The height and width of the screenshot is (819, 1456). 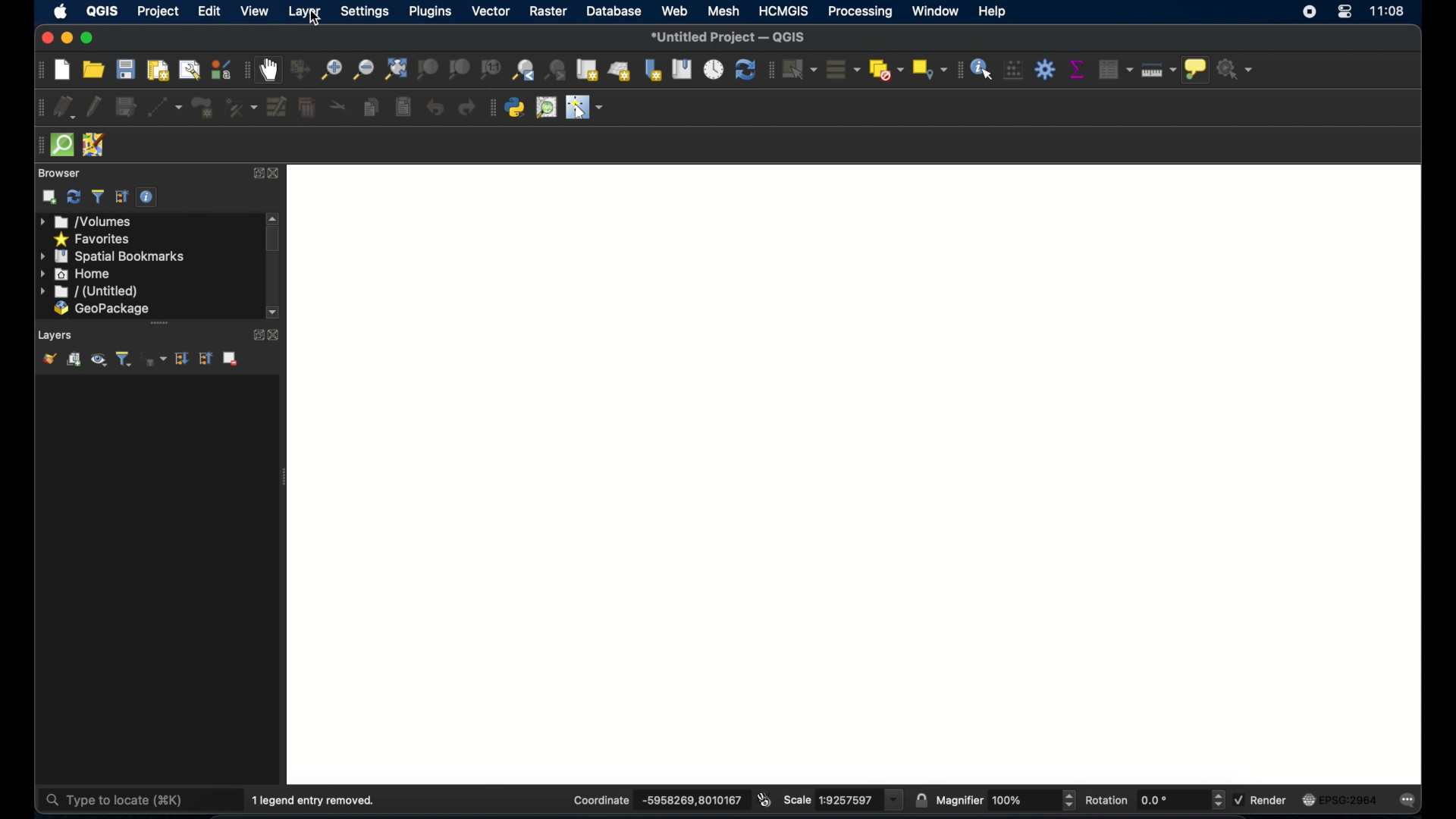 I want to click on zoom in, so click(x=331, y=69).